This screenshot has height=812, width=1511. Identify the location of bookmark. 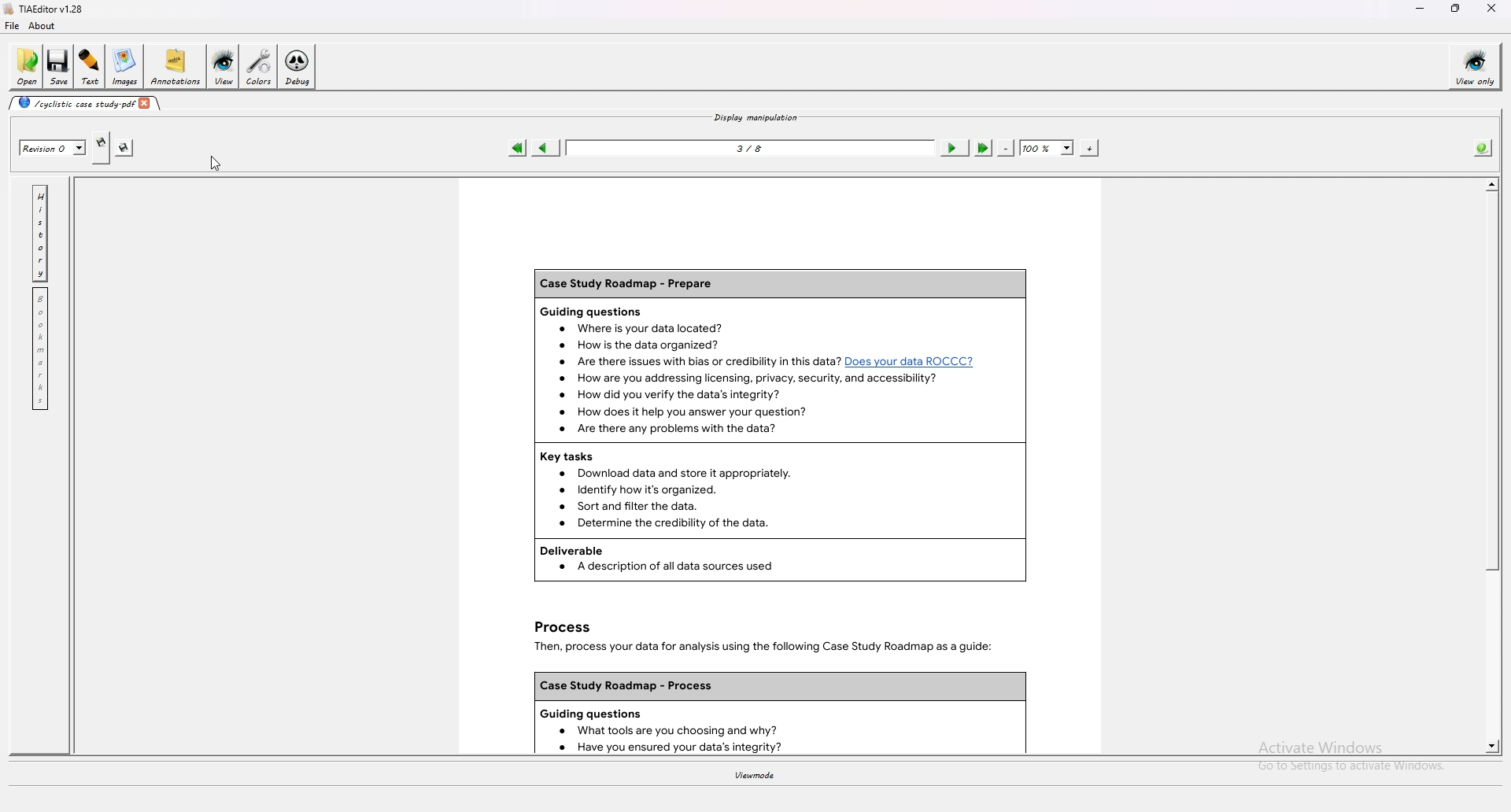
(42, 349).